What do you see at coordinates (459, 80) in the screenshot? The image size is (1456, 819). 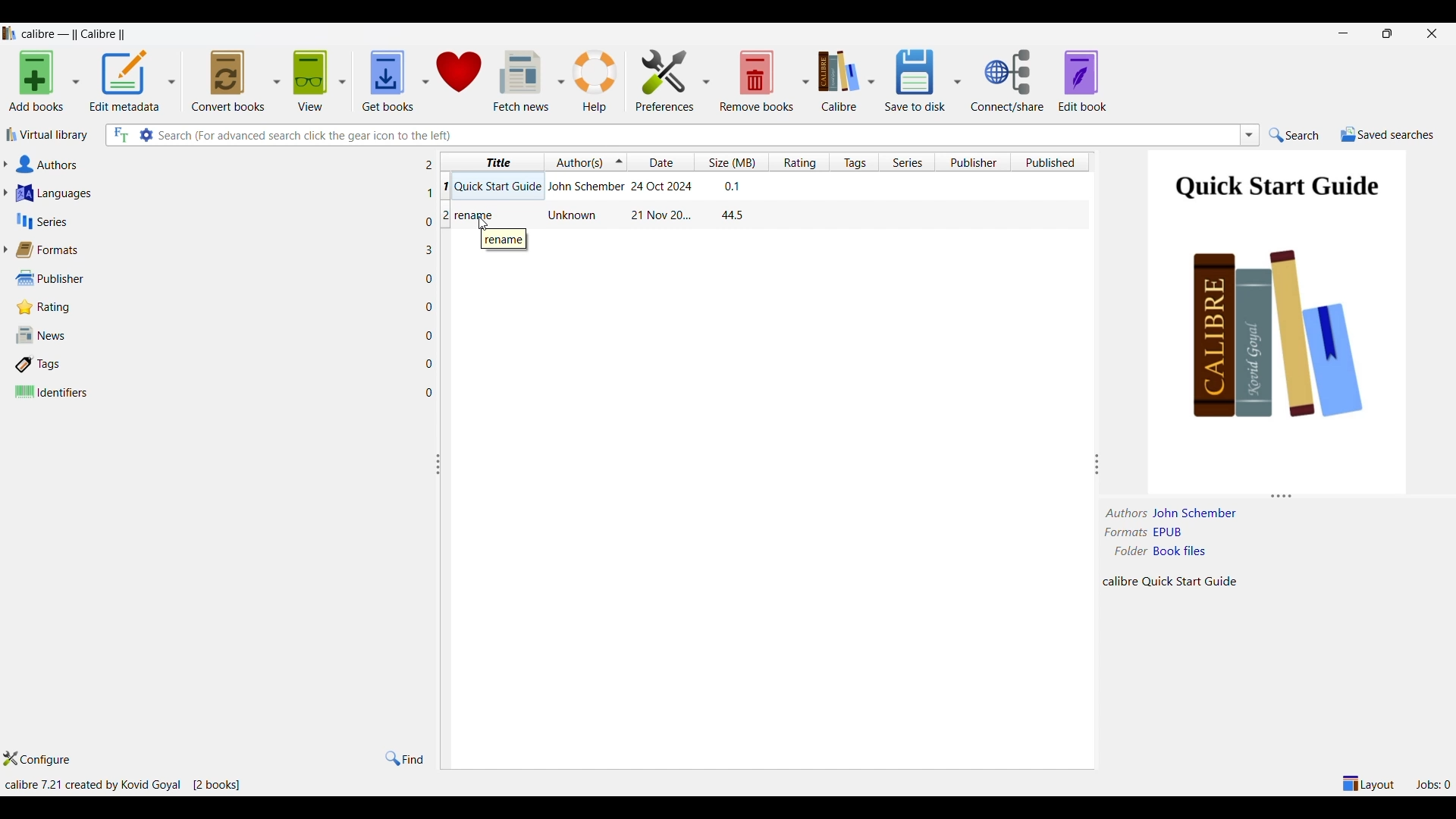 I see `Donate` at bounding box center [459, 80].